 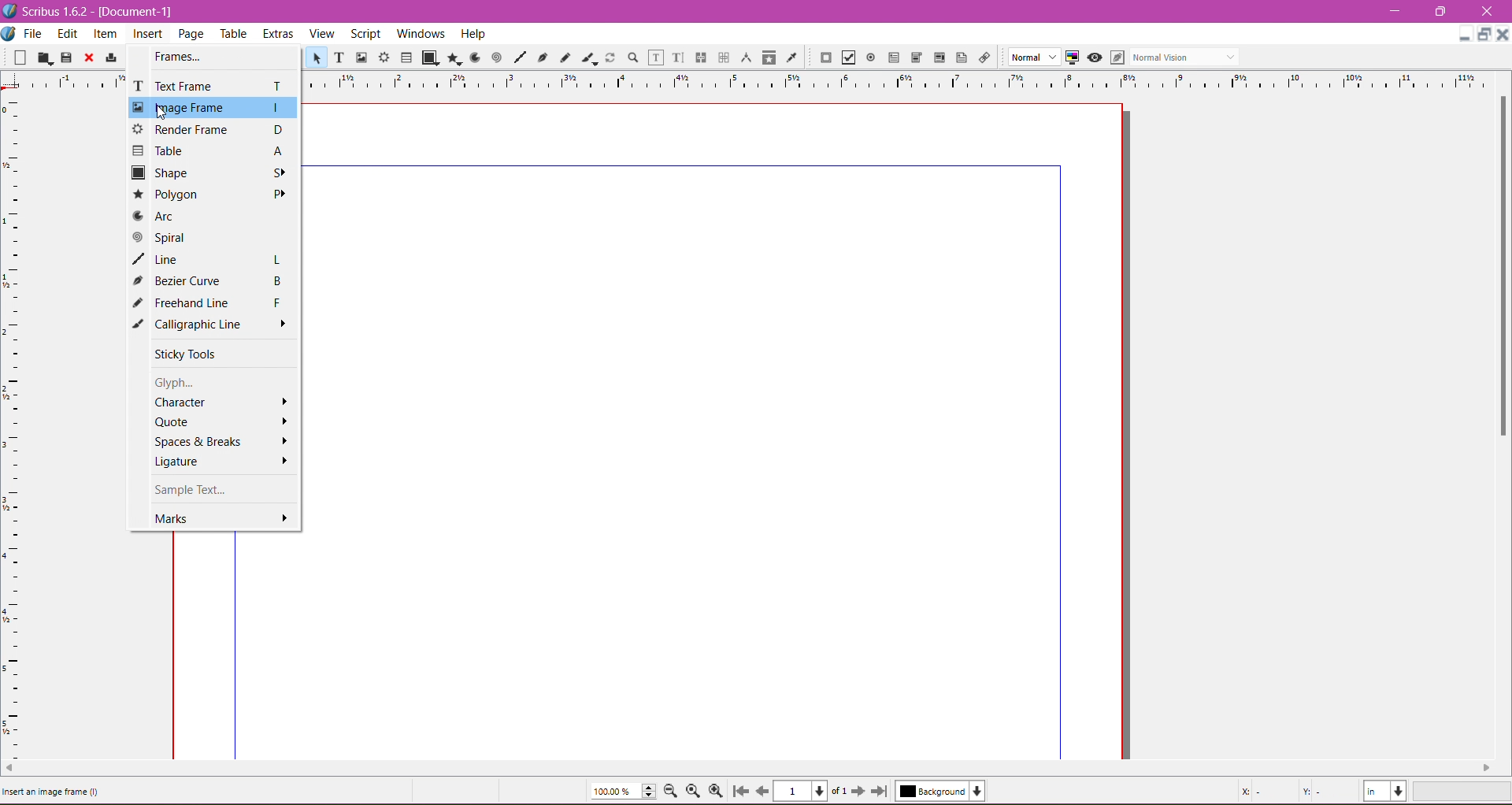 I want to click on Cursor Coordinate - Y , so click(x=1323, y=791).